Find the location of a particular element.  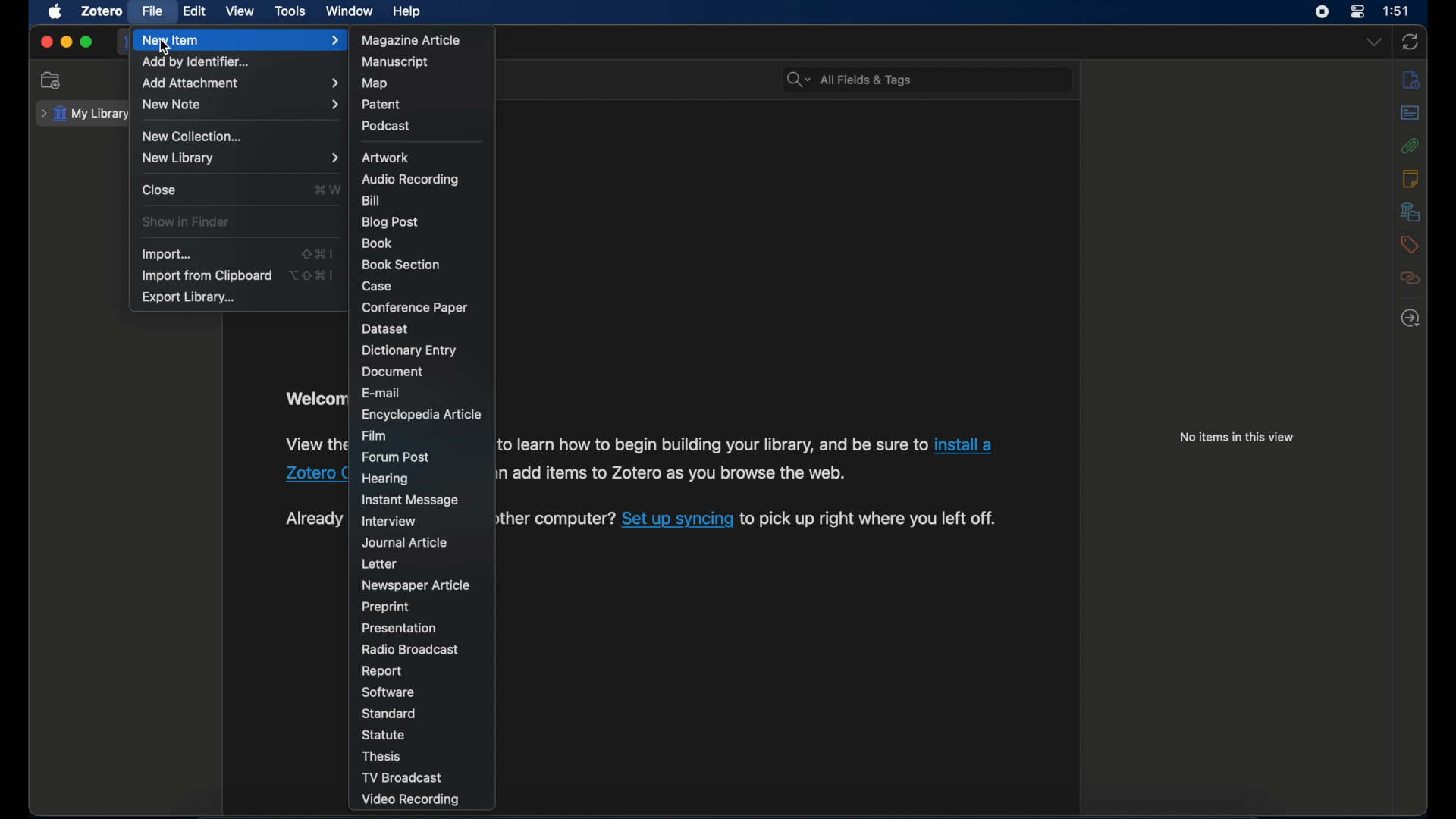

show in finder is located at coordinates (185, 221).